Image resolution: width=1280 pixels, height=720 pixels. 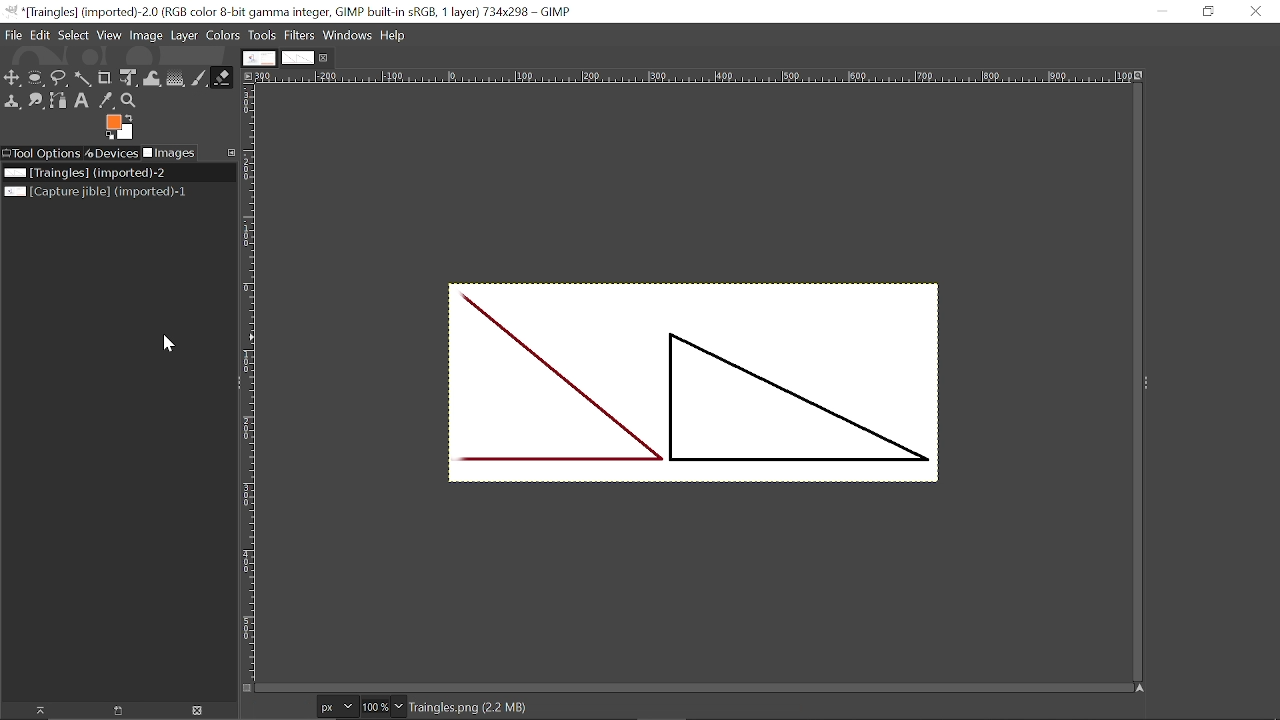 What do you see at coordinates (1210, 11) in the screenshot?
I see `Restore down` at bounding box center [1210, 11].